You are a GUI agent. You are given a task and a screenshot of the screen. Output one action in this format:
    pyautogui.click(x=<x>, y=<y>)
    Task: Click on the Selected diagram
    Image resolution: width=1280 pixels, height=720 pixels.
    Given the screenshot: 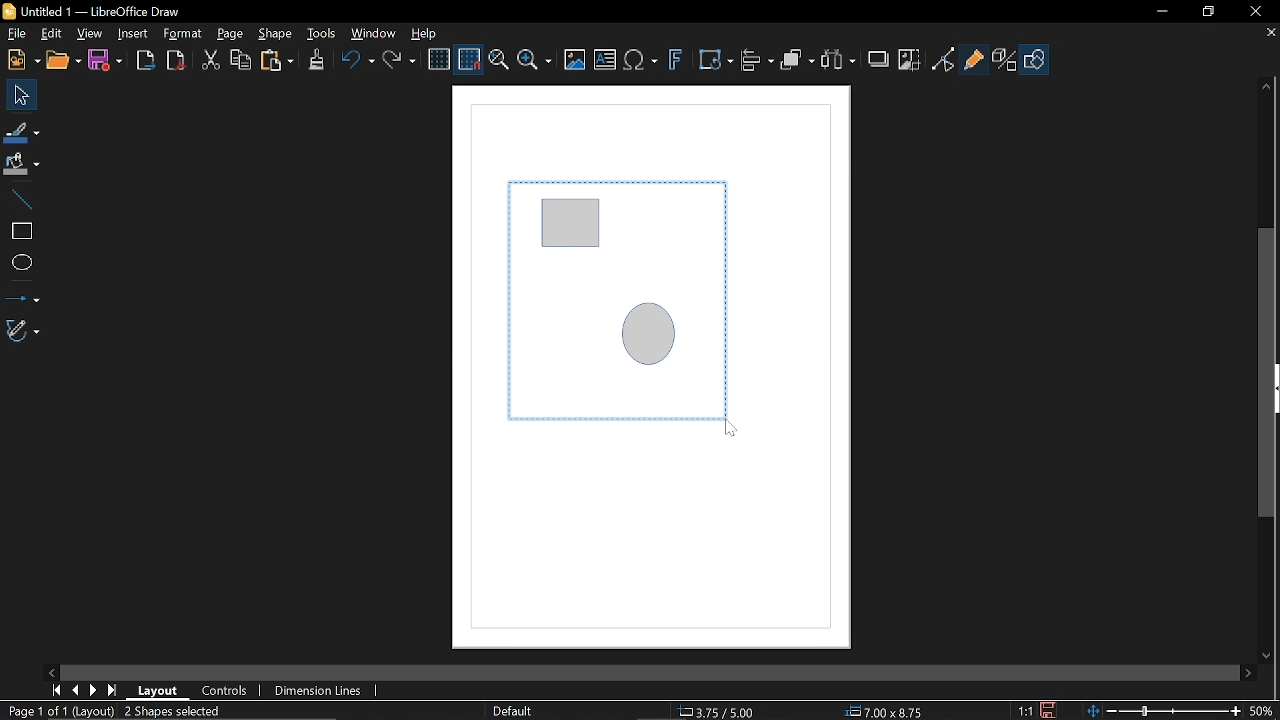 What is the action you would take?
    pyautogui.click(x=630, y=321)
    